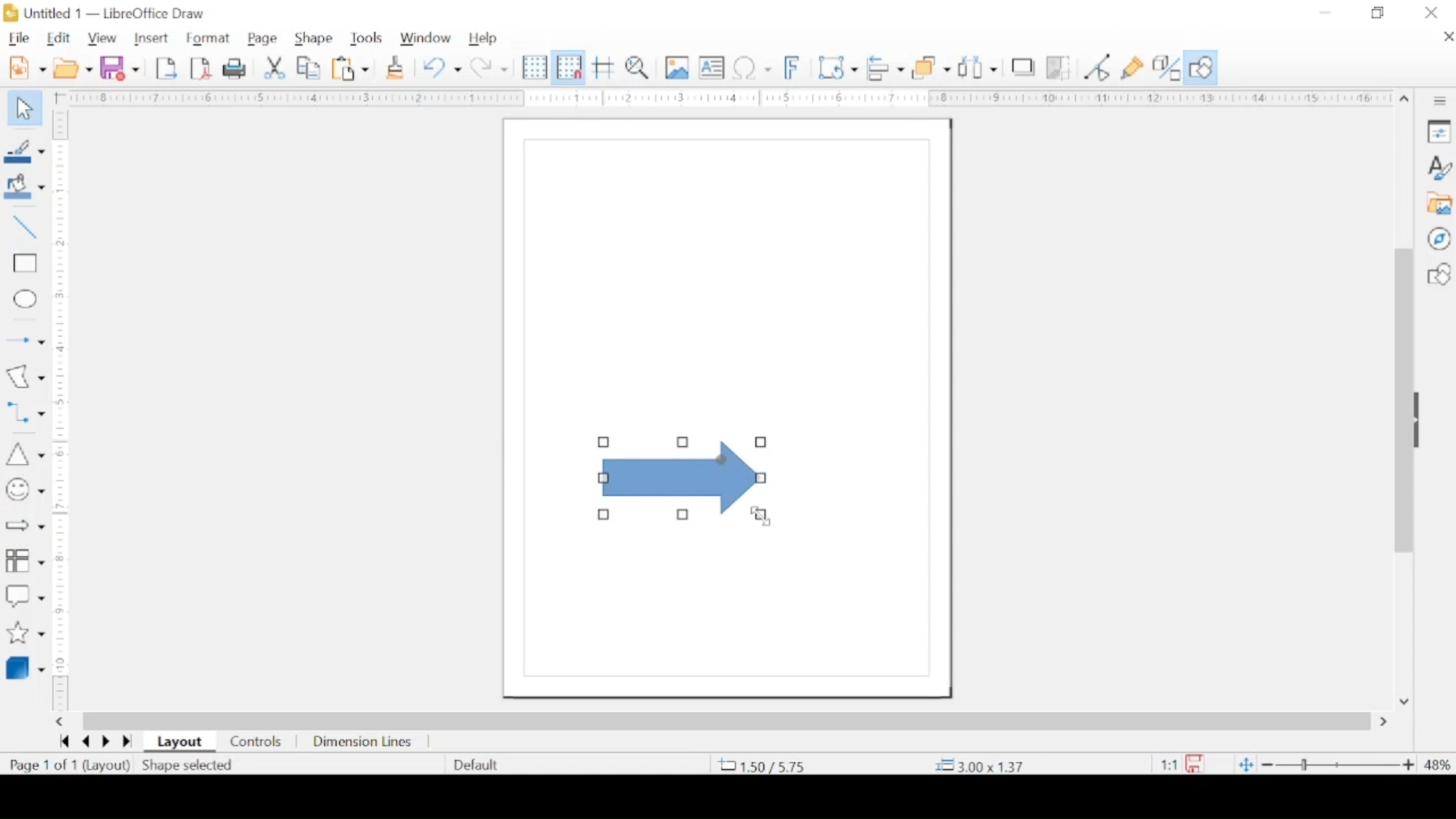 The height and width of the screenshot is (819, 1456). Describe the element at coordinates (24, 525) in the screenshot. I see `block arrow` at that location.